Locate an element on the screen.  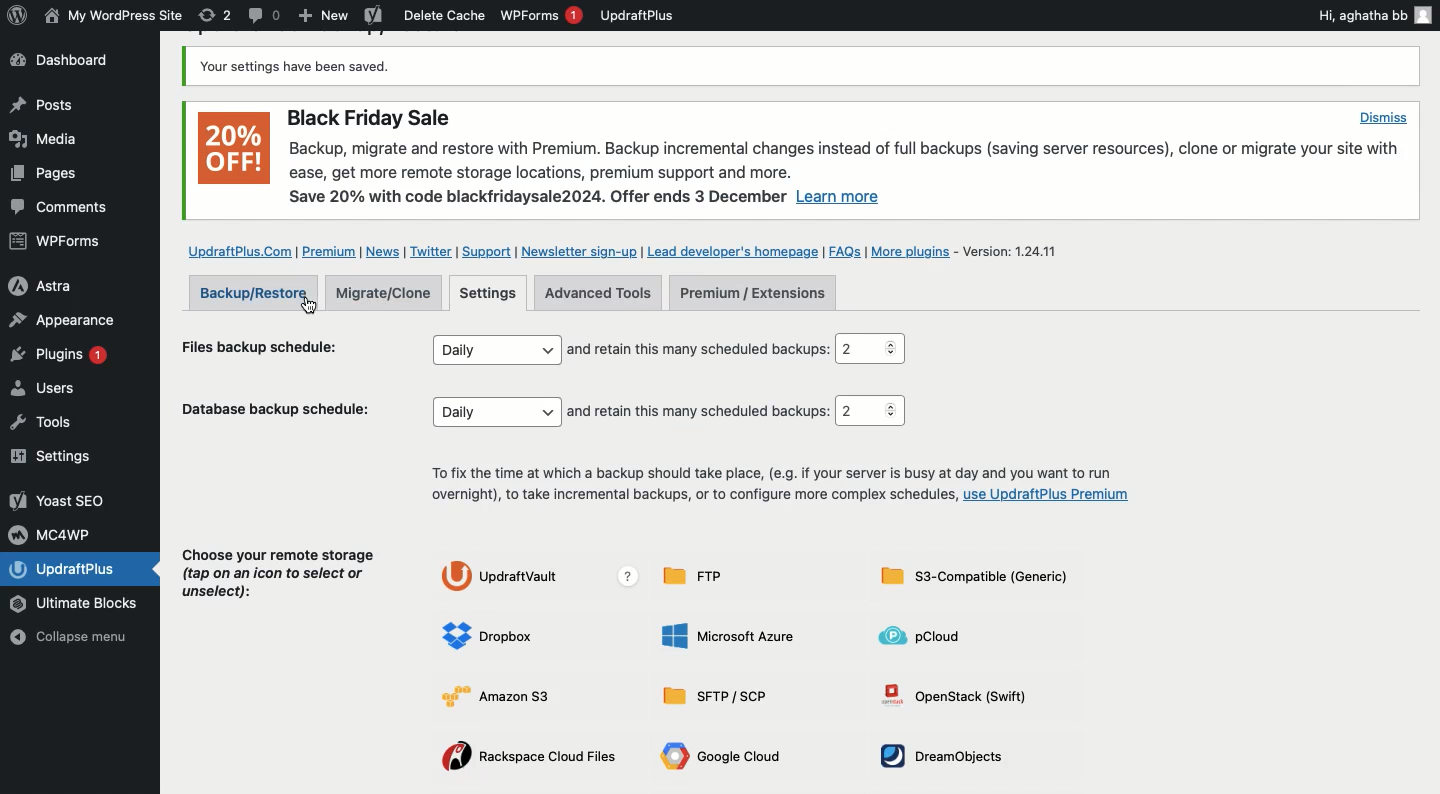
and retain this many scheduled backups is located at coordinates (698, 350).